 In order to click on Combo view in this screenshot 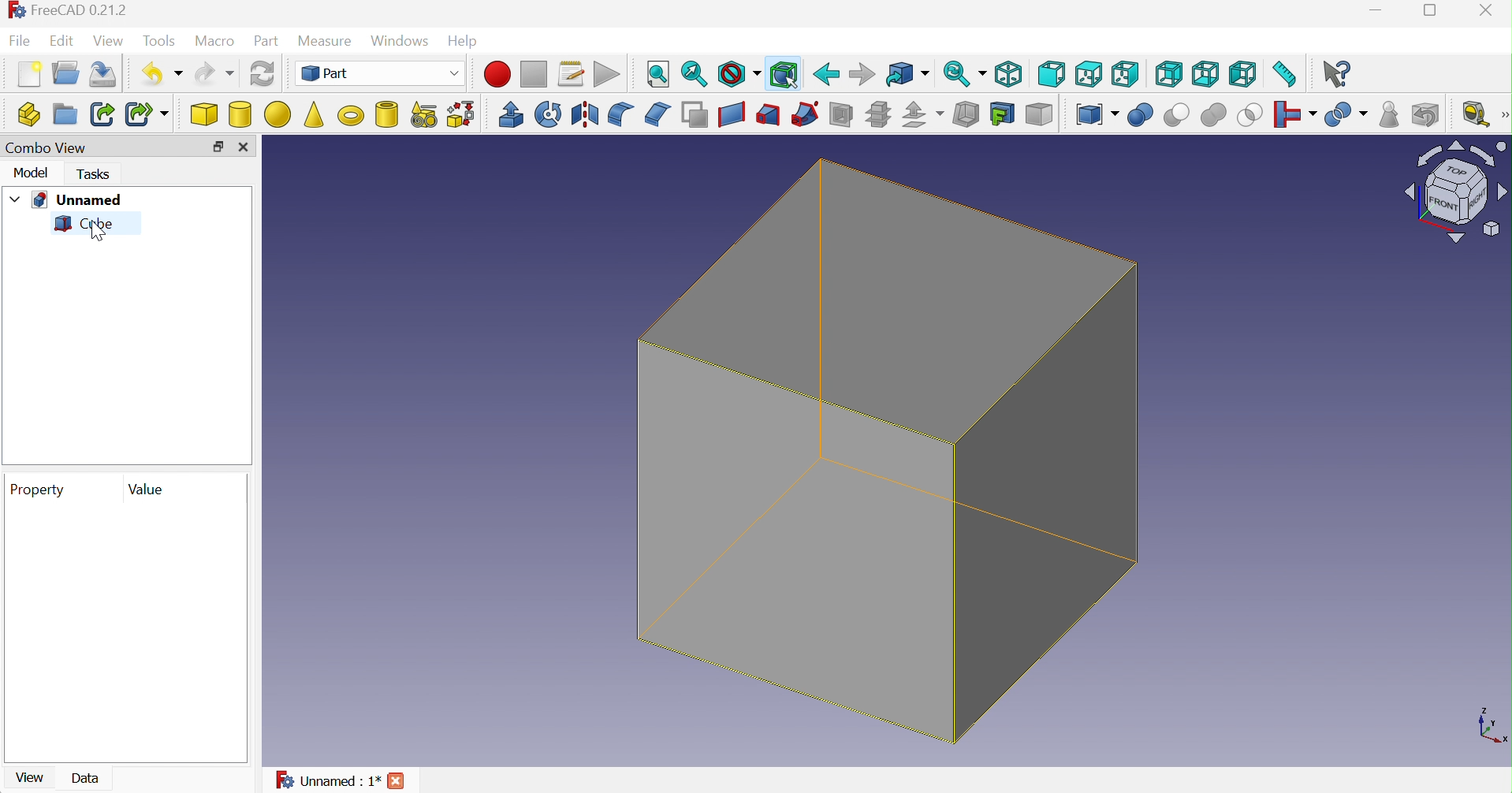, I will do `click(43, 147)`.